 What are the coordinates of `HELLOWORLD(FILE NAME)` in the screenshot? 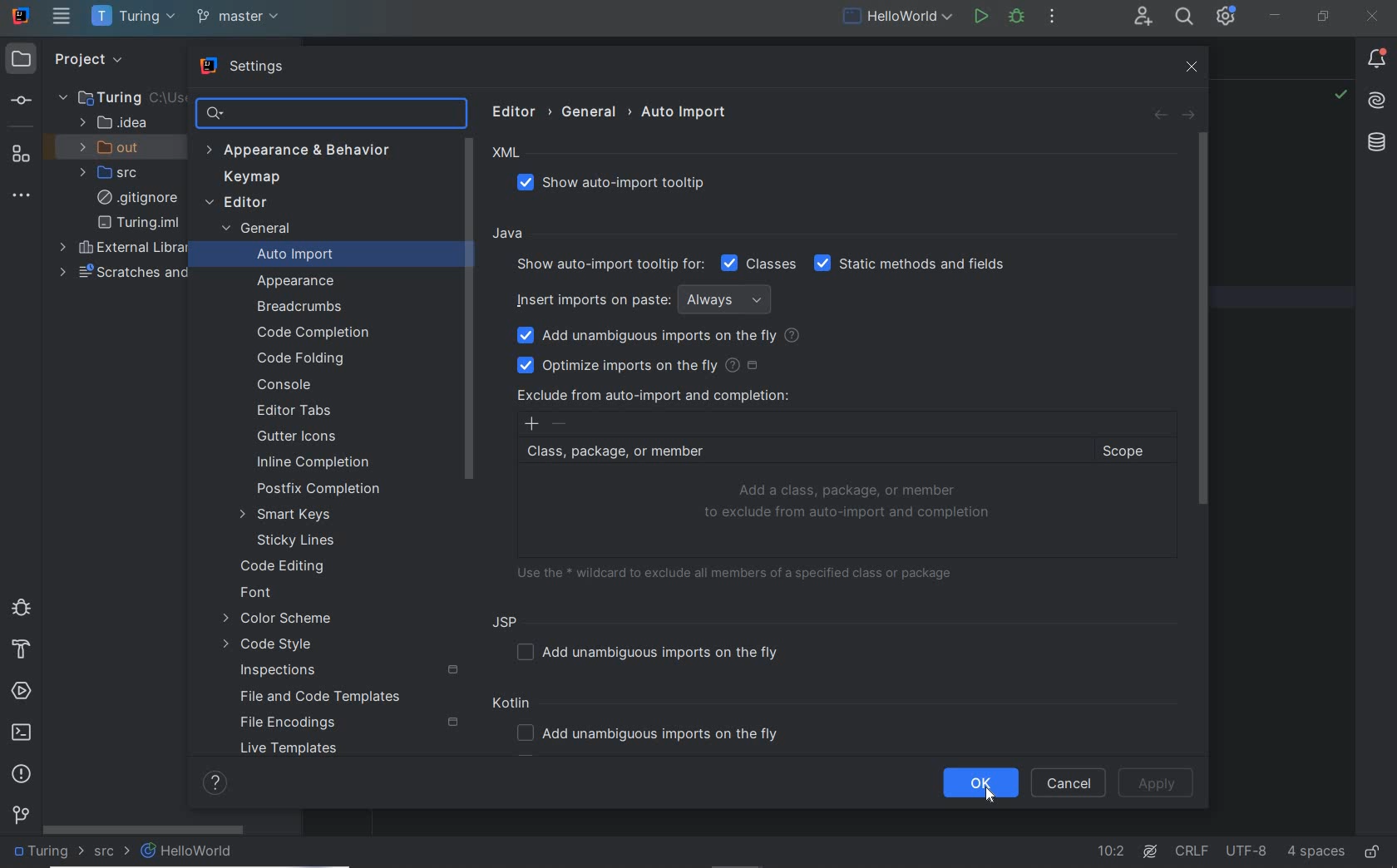 It's located at (192, 851).